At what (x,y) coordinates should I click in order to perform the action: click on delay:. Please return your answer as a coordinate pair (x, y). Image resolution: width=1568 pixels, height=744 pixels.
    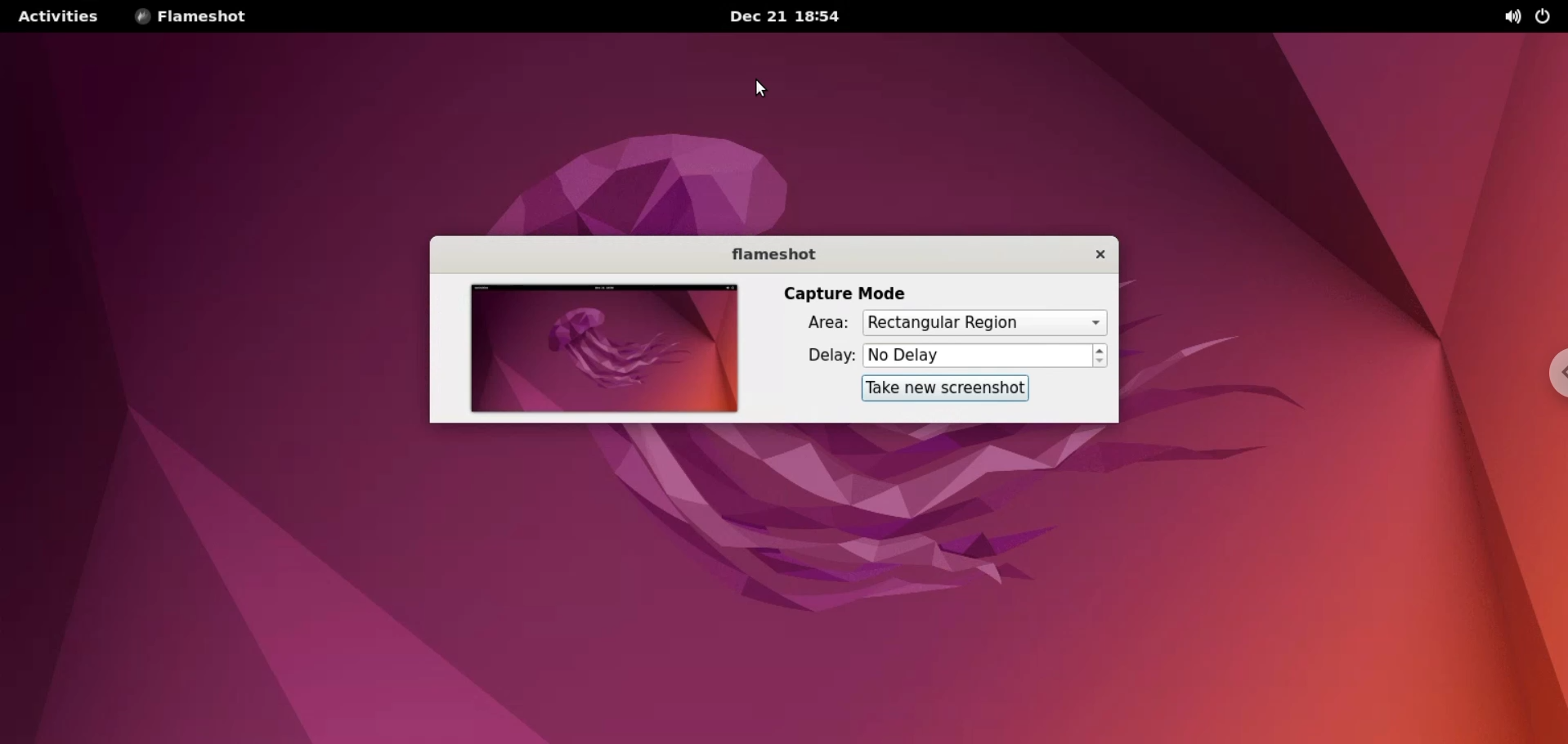
    Looking at the image, I should click on (818, 359).